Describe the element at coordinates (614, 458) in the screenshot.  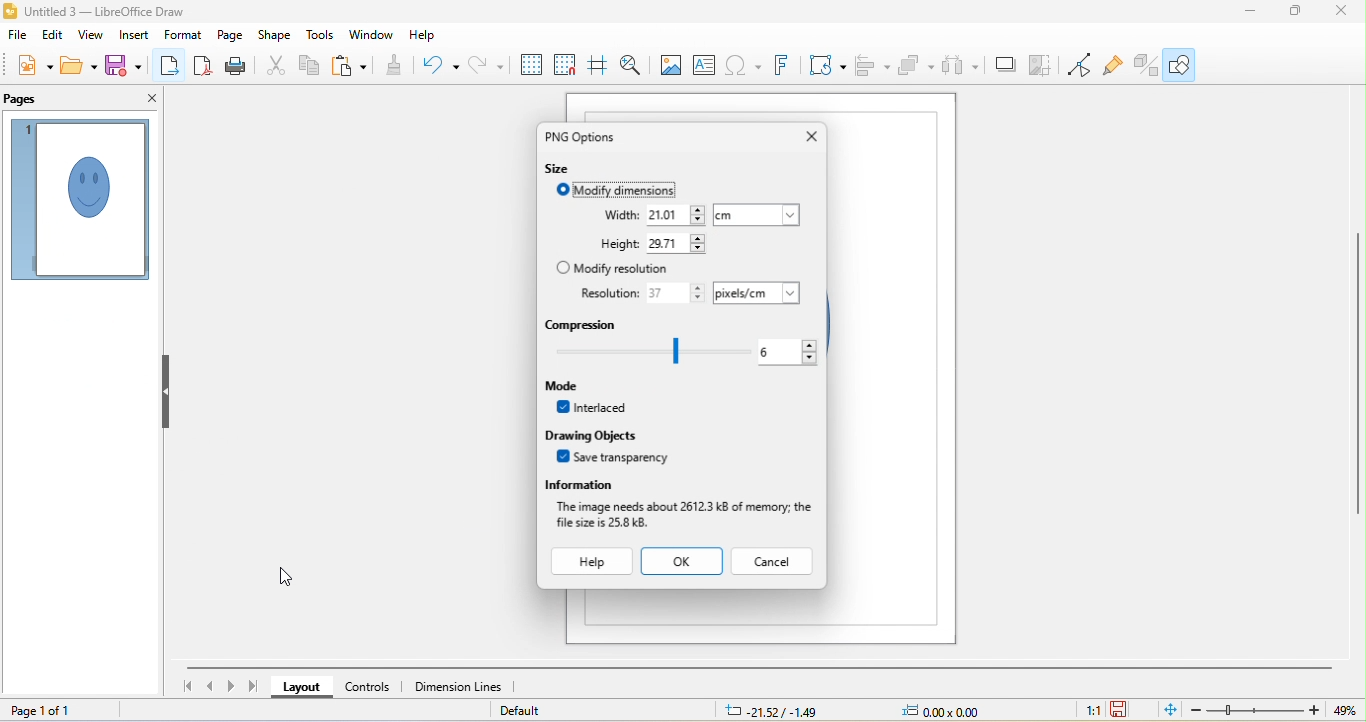
I see `save transparency` at that location.